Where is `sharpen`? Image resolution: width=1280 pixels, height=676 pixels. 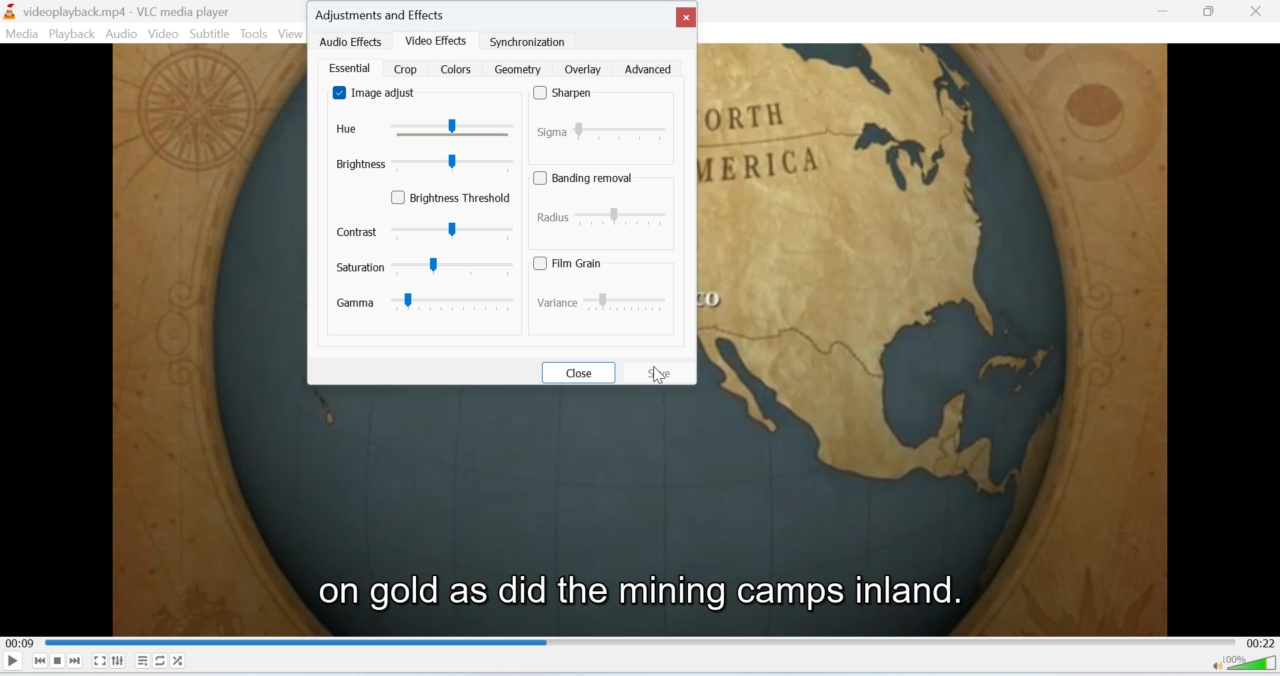
sharpen is located at coordinates (568, 93).